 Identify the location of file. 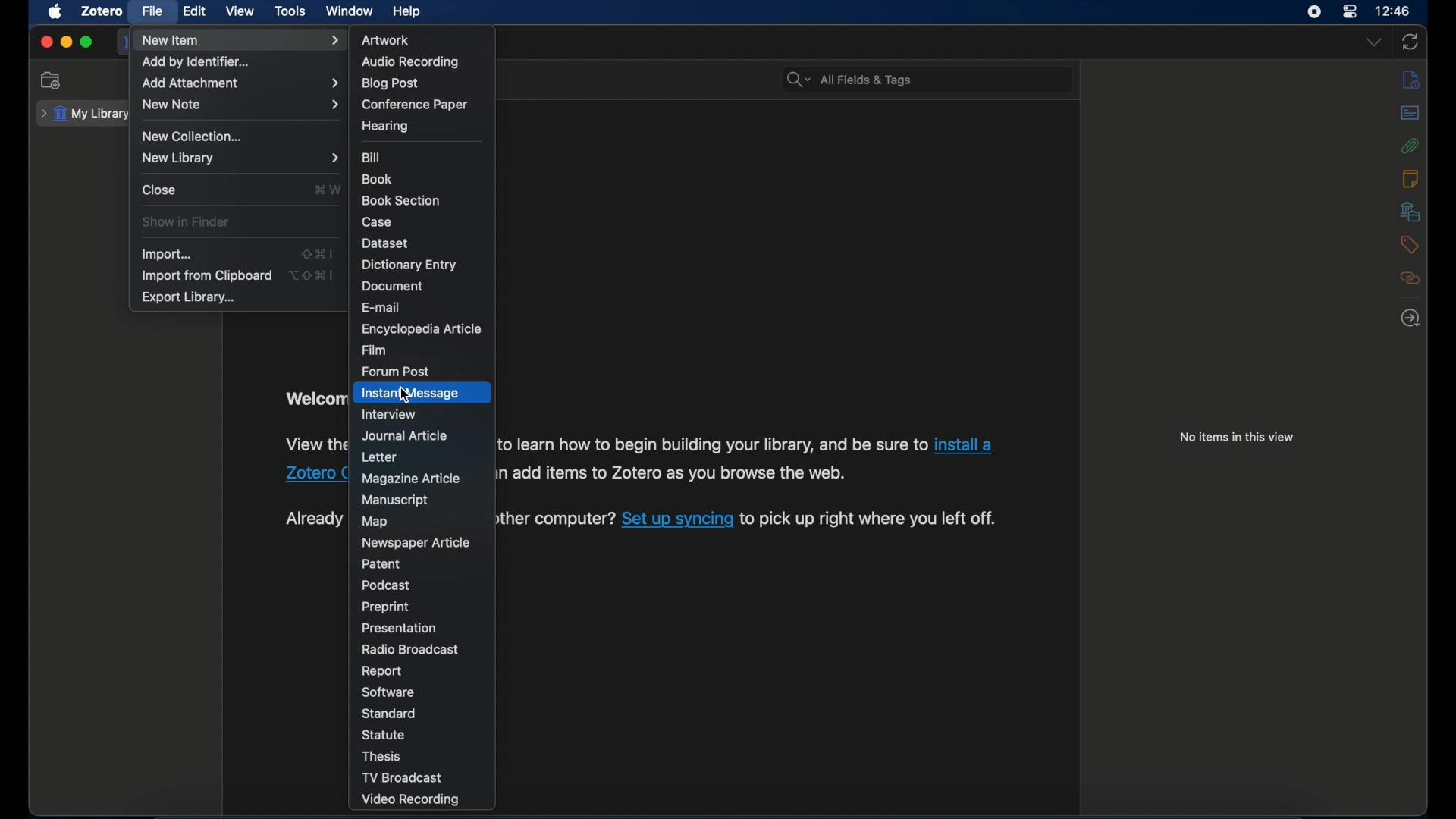
(153, 11).